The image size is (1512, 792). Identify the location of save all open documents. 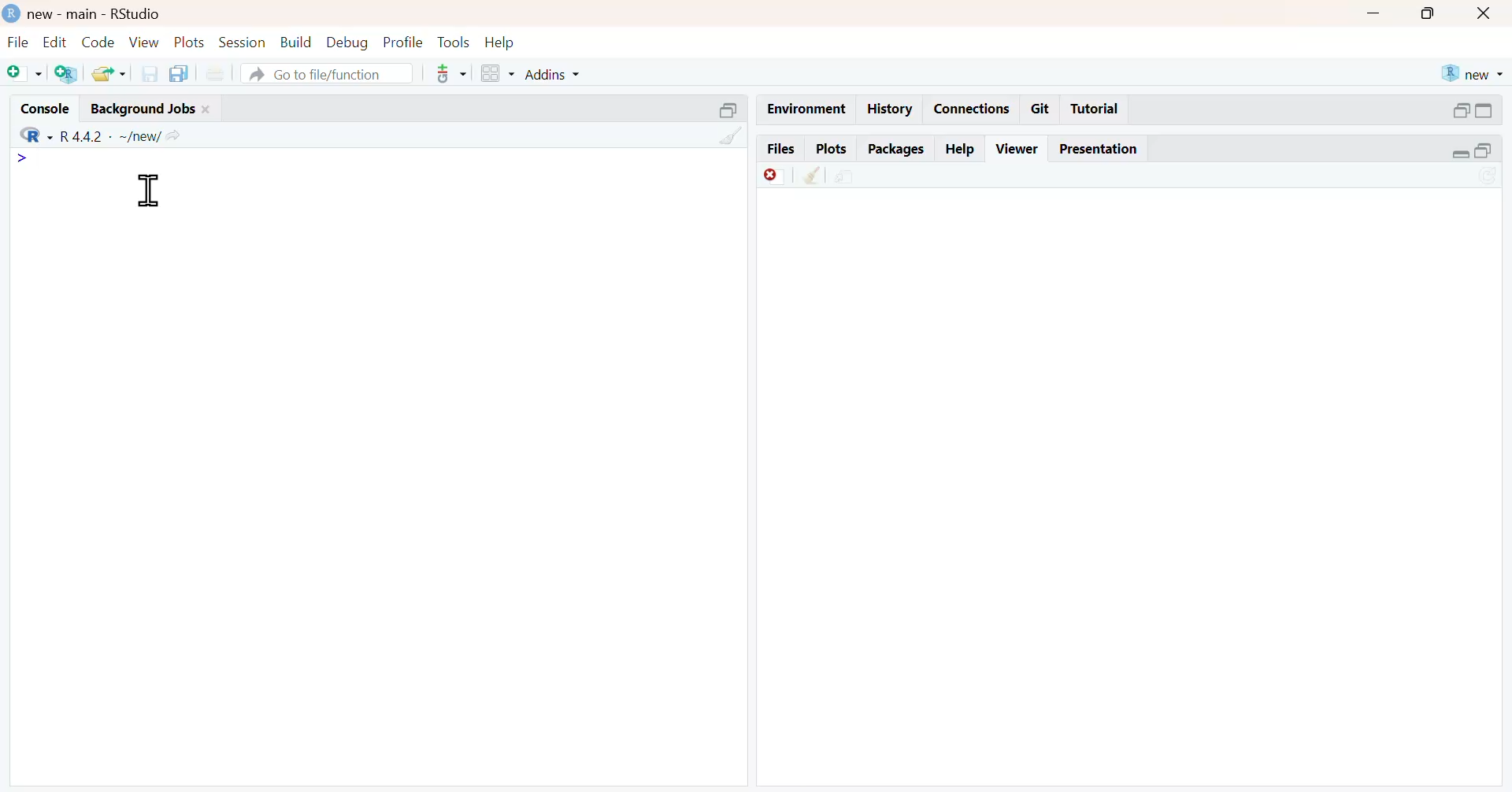
(182, 73).